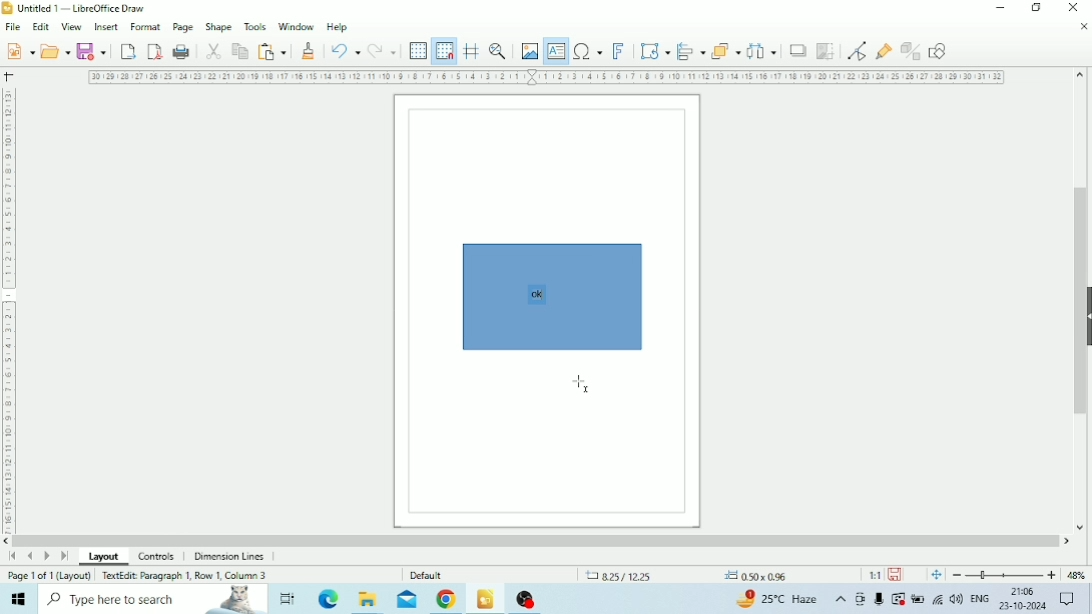 This screenshot has width=1092, height=614. What do you see at coordinates (882, 52) in the screenshot?
I see `Show Gluepoint Functions` at bounding box center [882, 52].